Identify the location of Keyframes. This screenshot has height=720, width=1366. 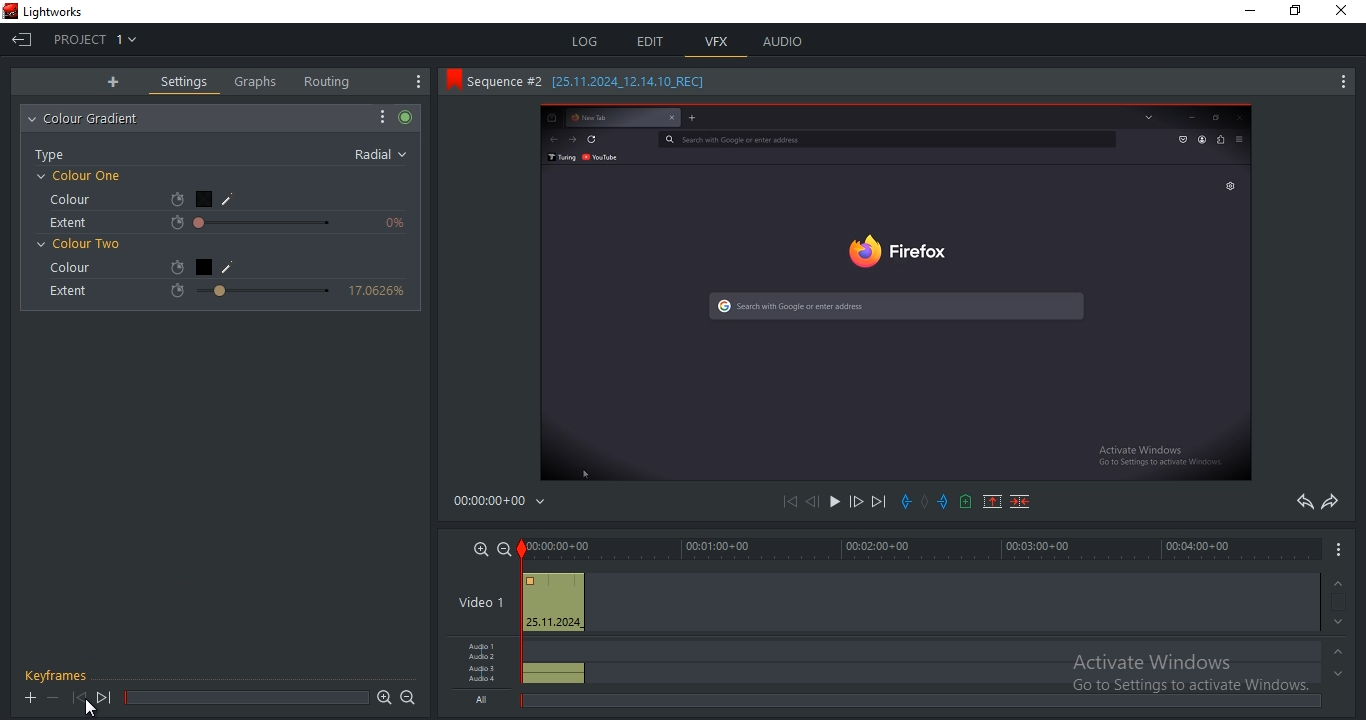
(59, 673).